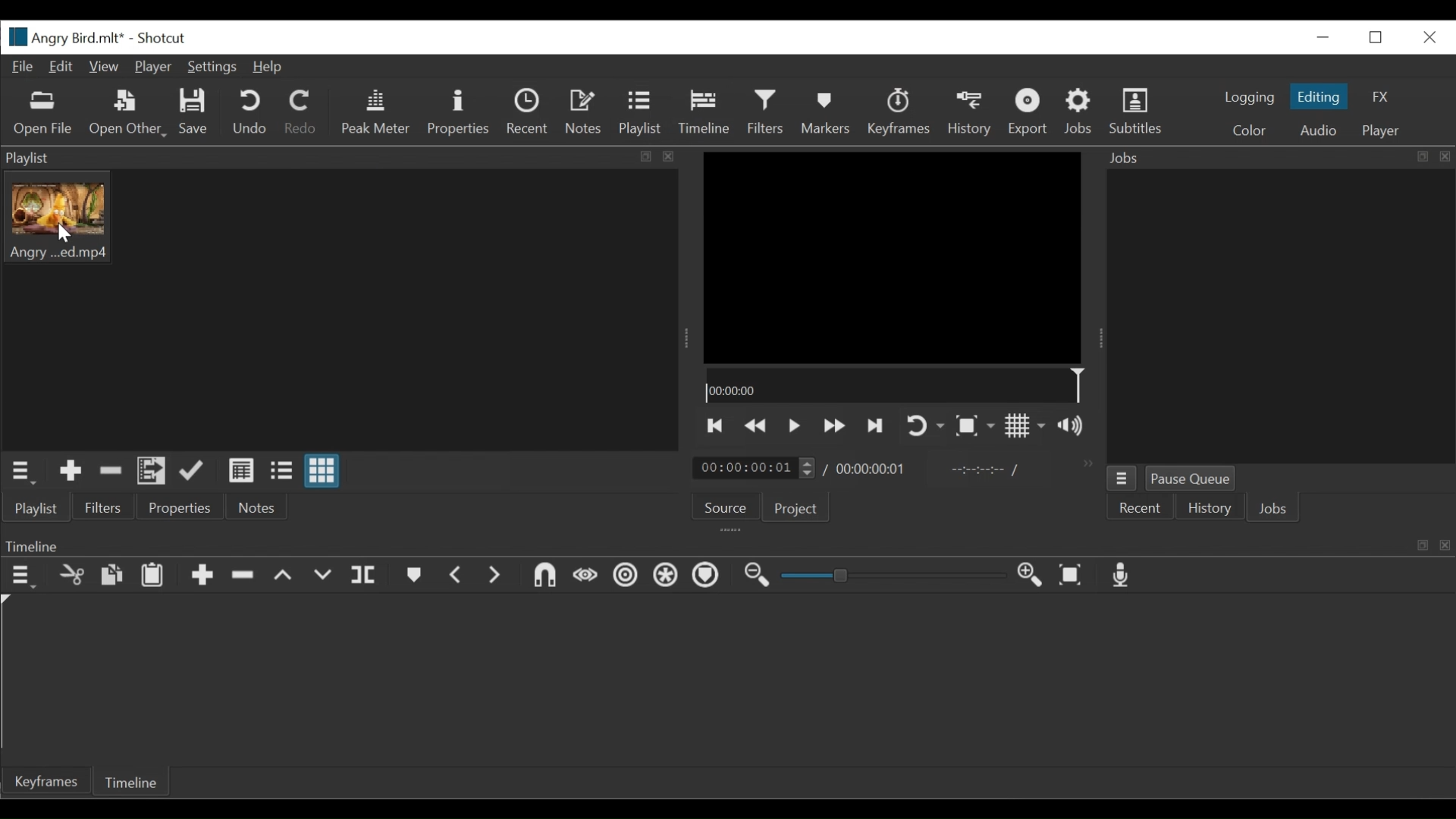 This screenshot has width=1456, height=819. I want to click on Add the Source to the playlist, so click(71, 472).